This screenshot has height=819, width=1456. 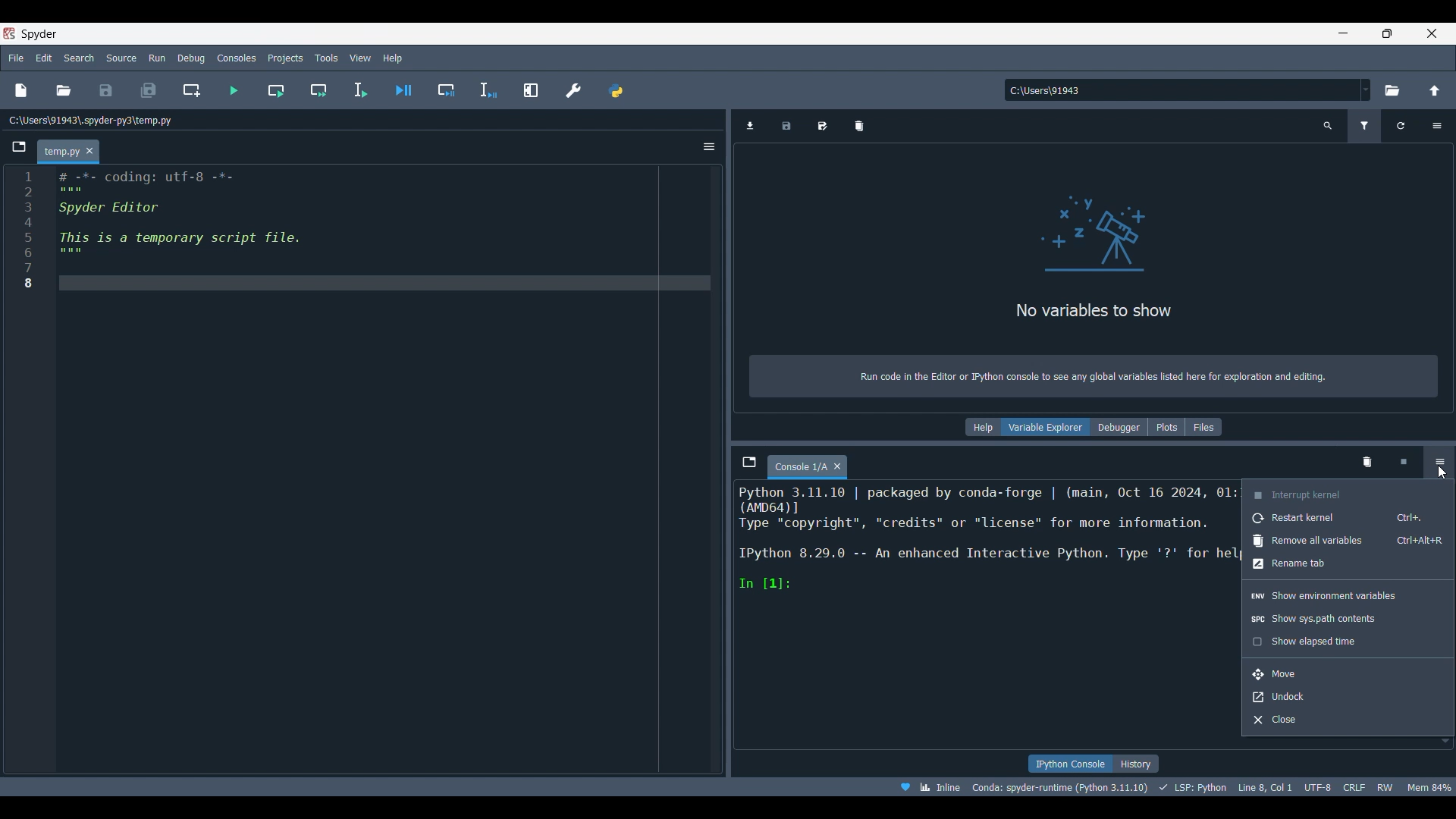 What do you see at coordinates (1348, 675) in the screenshot?
I see `Move` at bounding box center [1348, 675].